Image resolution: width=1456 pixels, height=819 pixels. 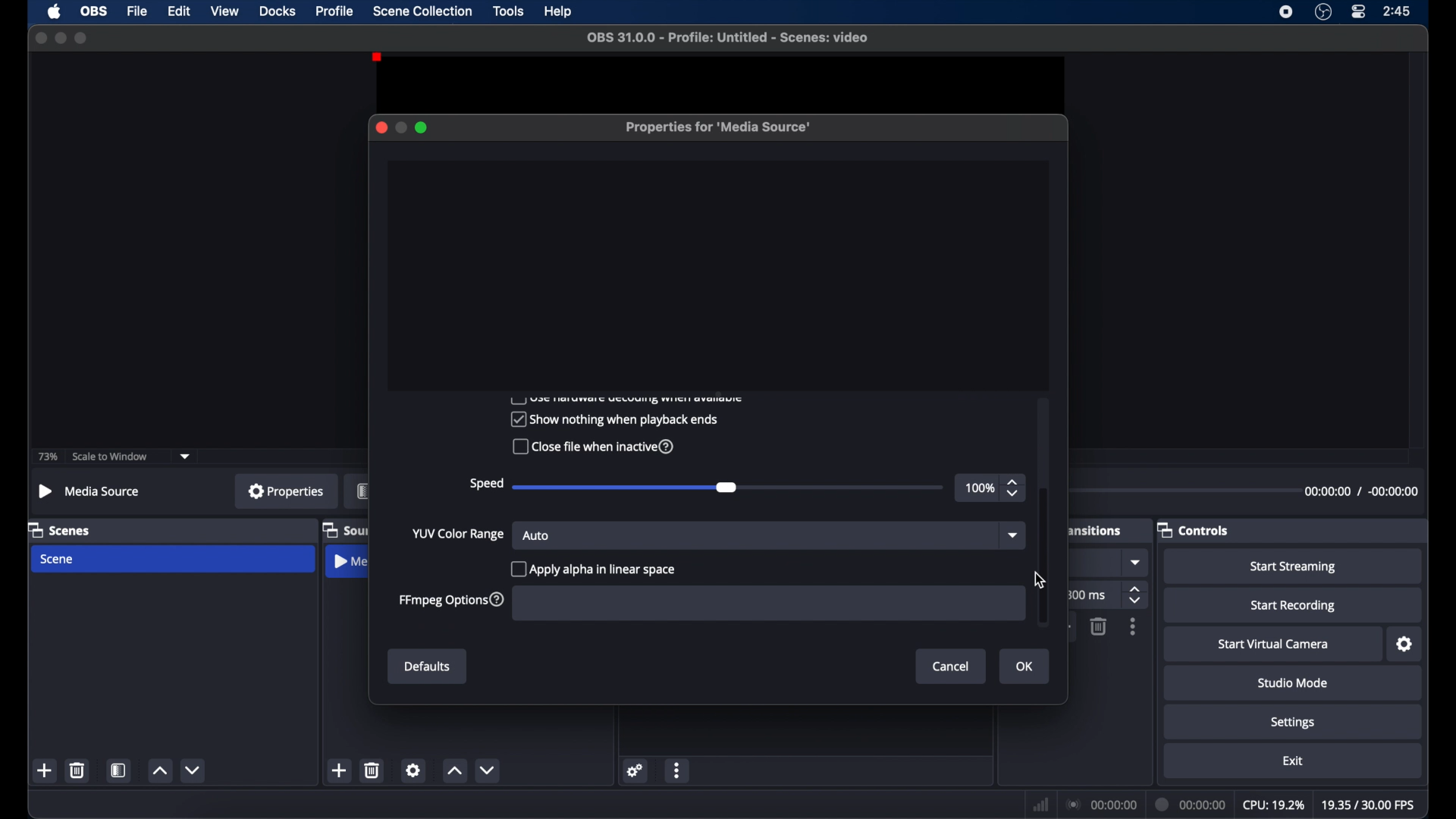 What do you see at coordinates (1405, 645) in the screenshot?
I see `settings` at bounding box center [1405, 645].